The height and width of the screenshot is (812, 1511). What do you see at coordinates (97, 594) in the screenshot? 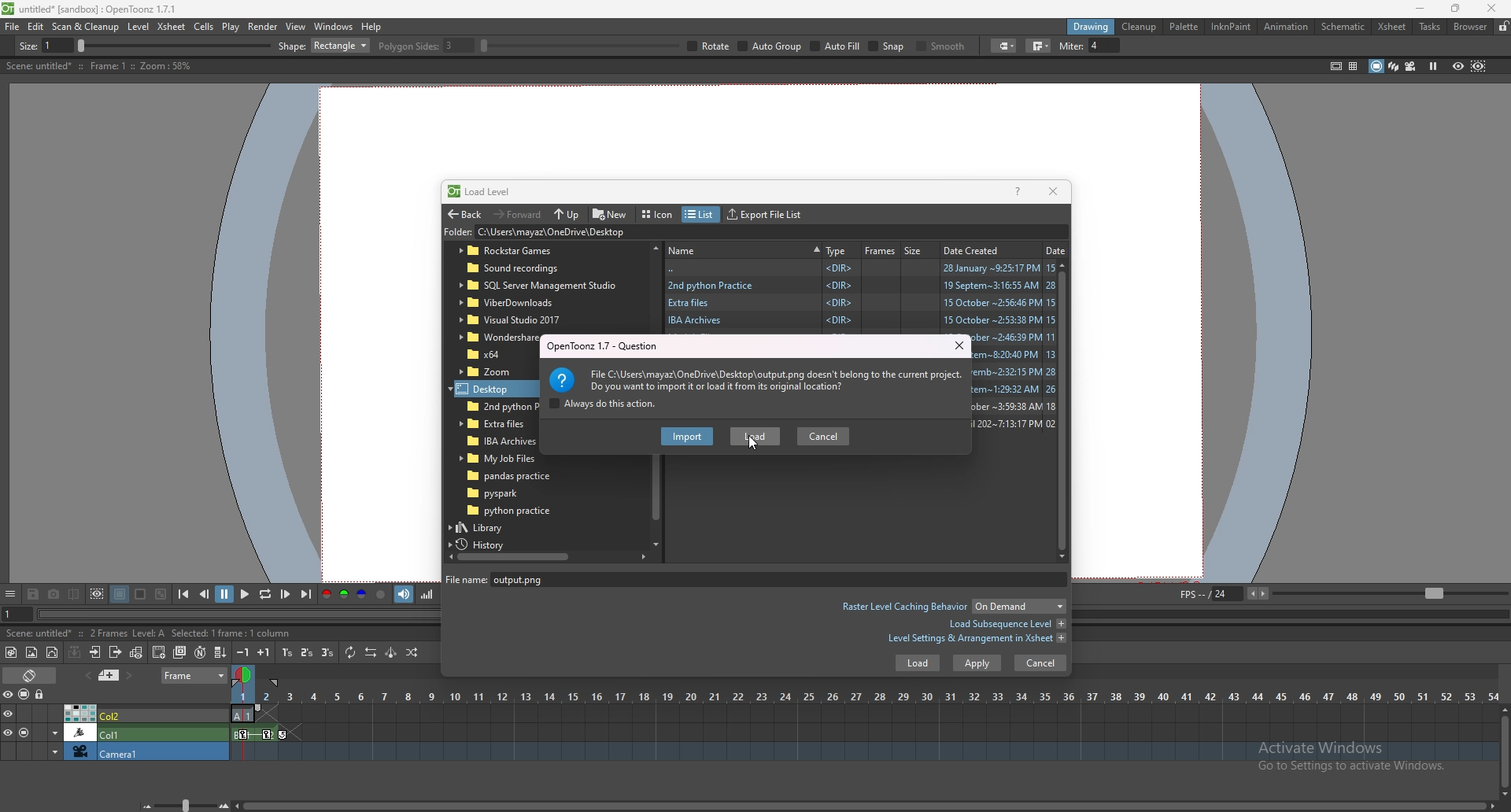
I see `define sub camera` at bounding box center [97, 594].